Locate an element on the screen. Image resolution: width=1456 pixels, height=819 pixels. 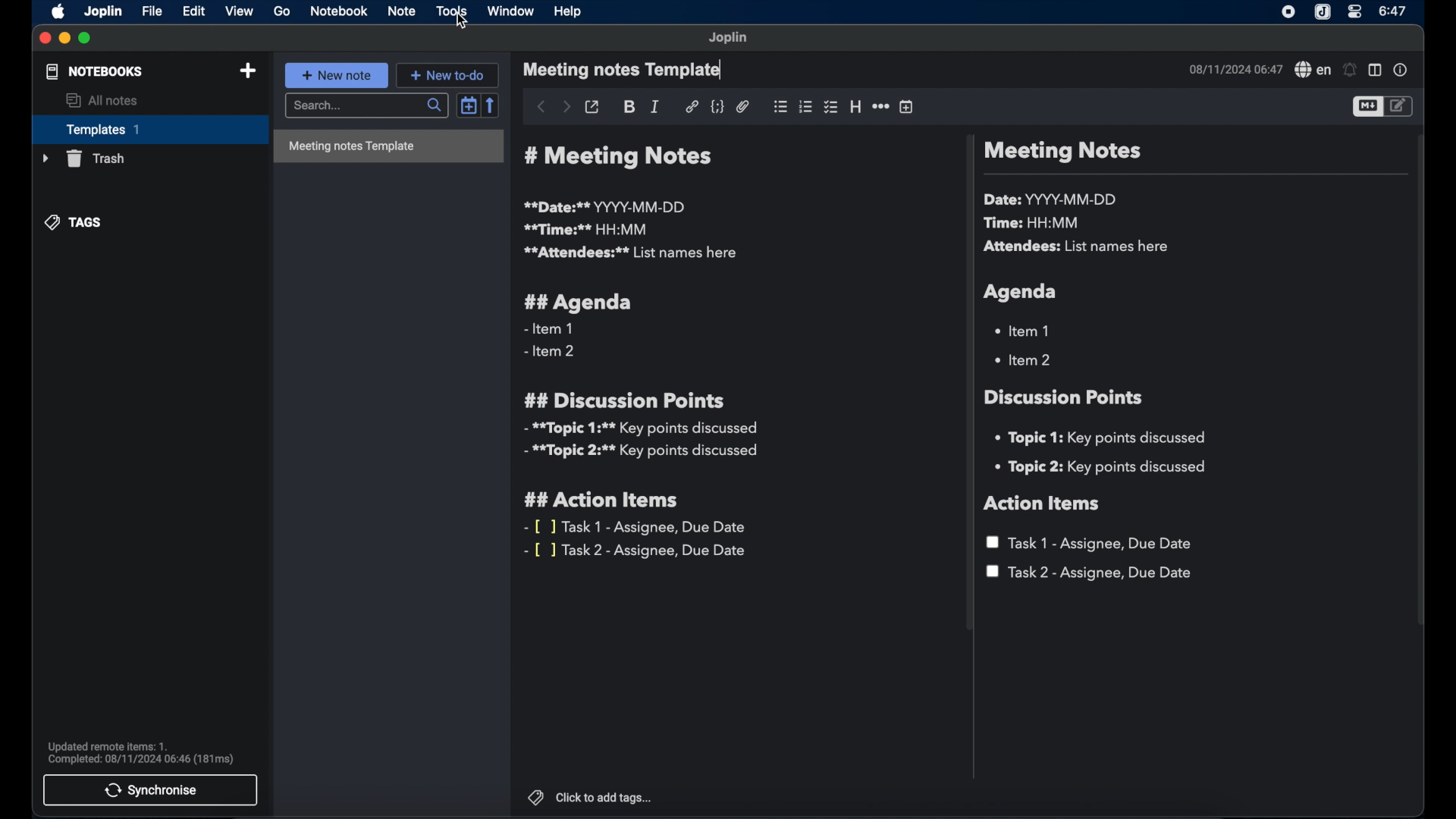
set alarm is located at coordinates (1349, 70).